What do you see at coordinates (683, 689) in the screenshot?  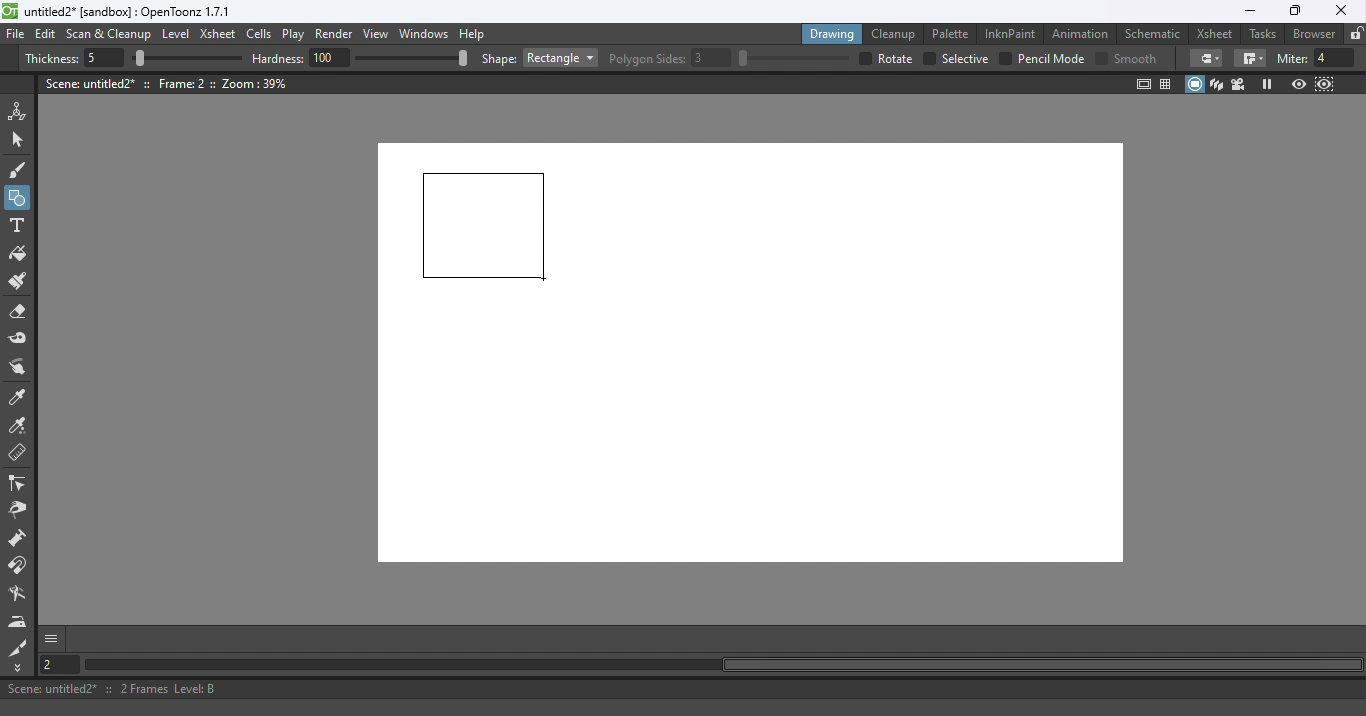 I see `Status bar` at bounding box center [683, 689].